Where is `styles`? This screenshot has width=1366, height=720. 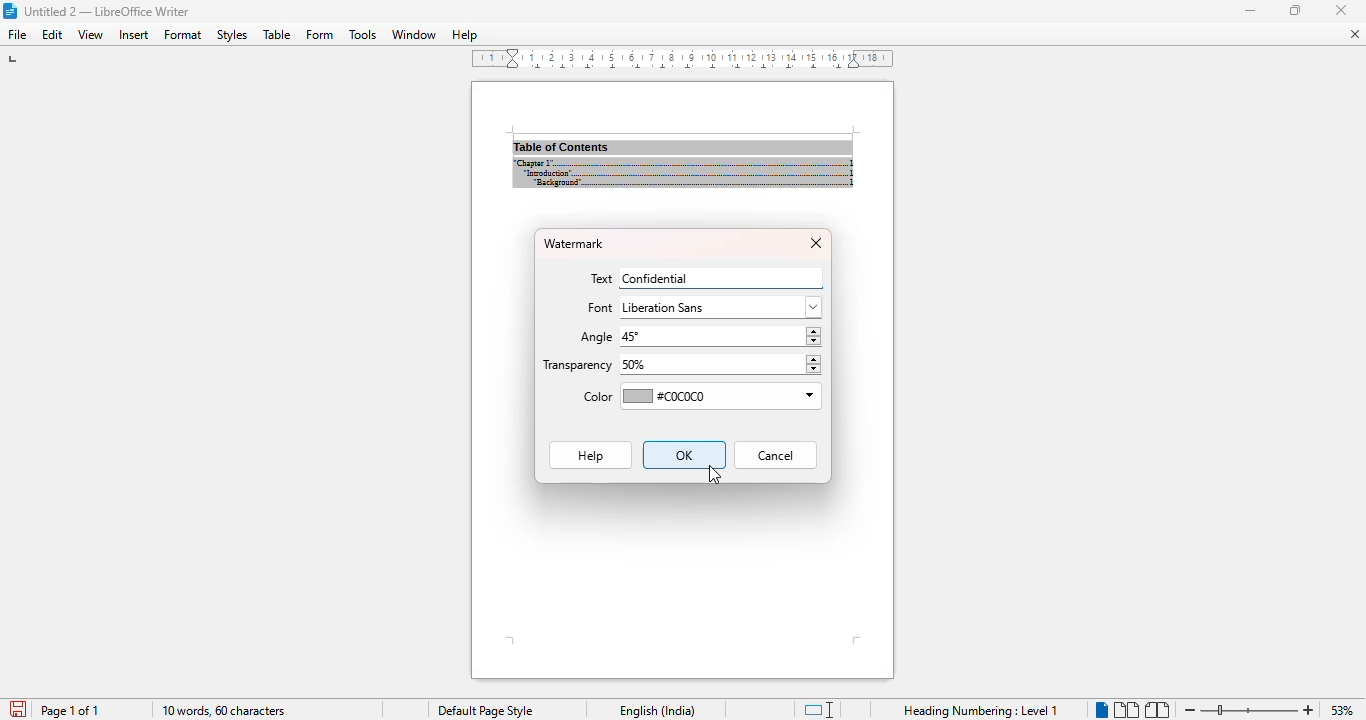
styles is located at coordinates (232, 35).